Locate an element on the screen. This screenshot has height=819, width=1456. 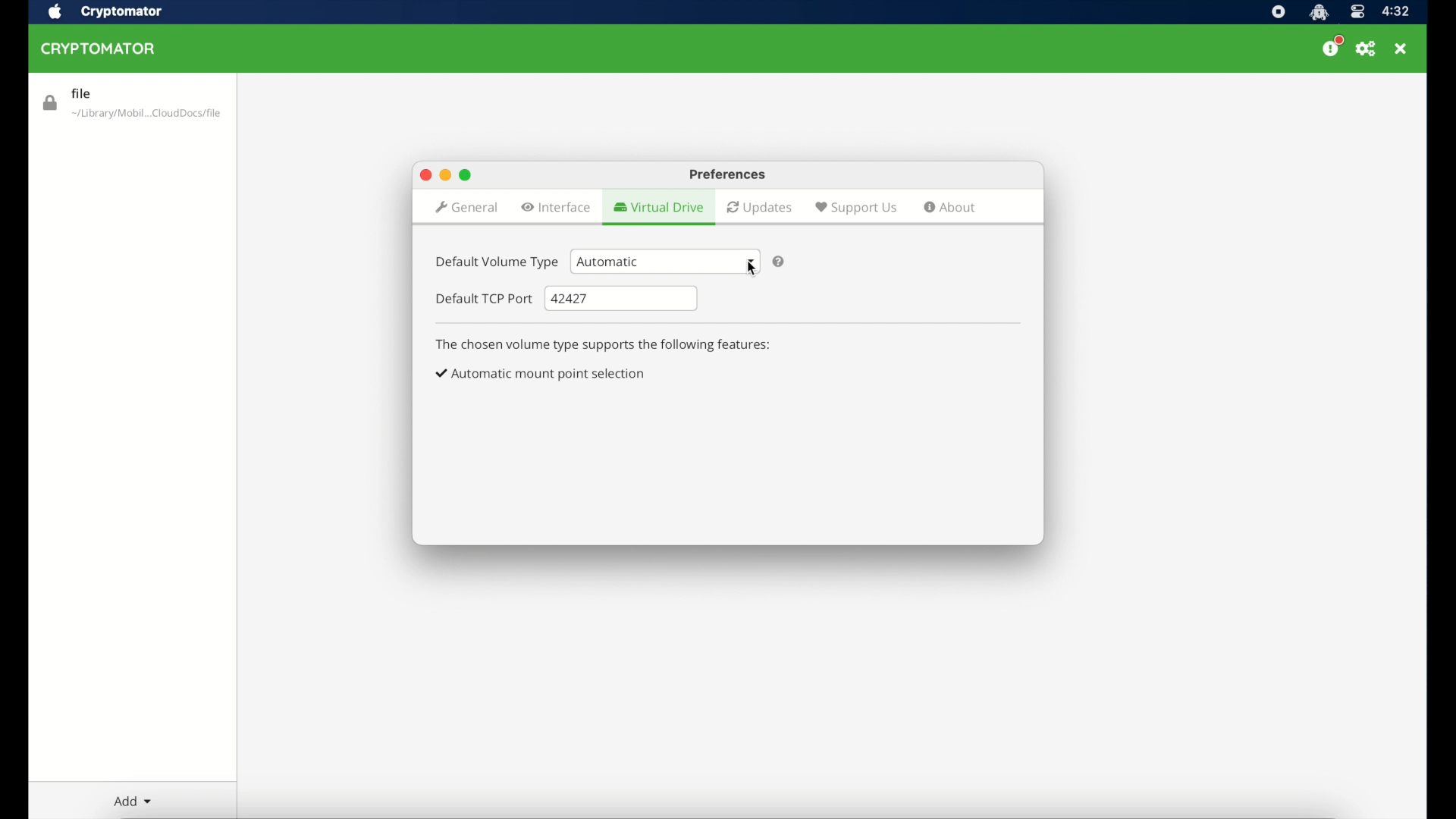
cursor is located at coordinates (754, 270).